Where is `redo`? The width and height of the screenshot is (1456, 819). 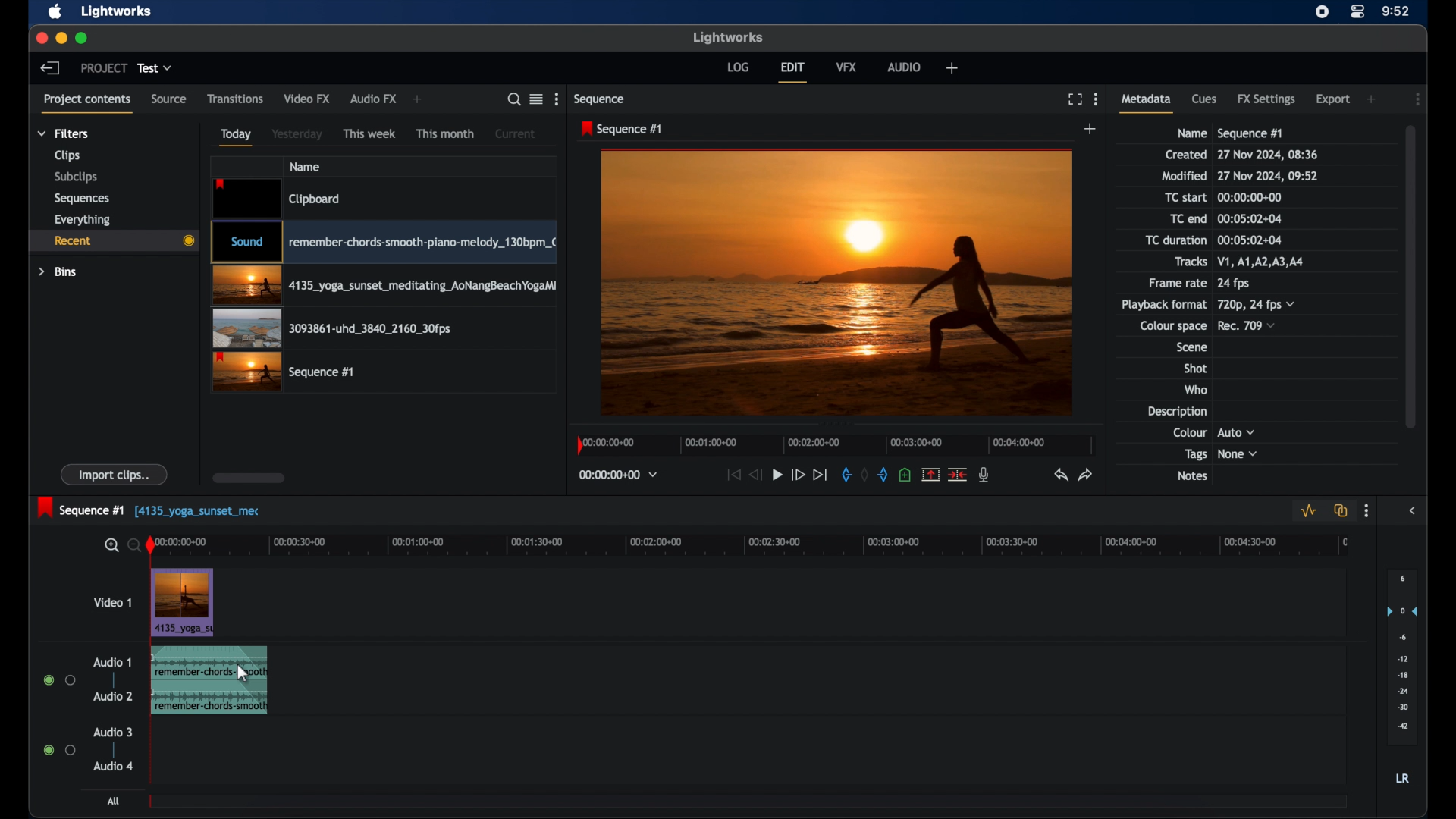 redo is located at coordinates (1086, 474).